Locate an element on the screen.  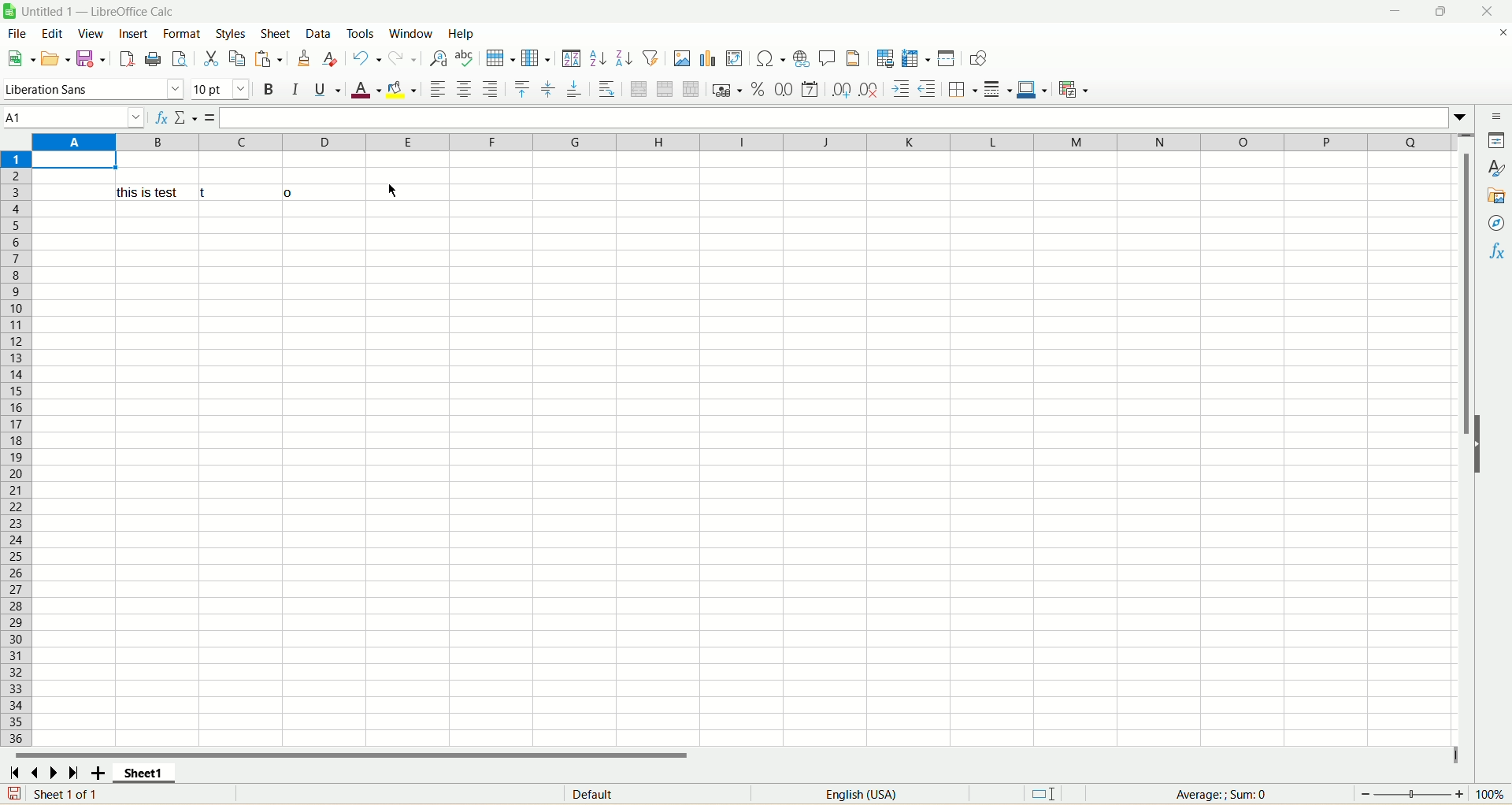
bold is located at coordinates (272, 90).